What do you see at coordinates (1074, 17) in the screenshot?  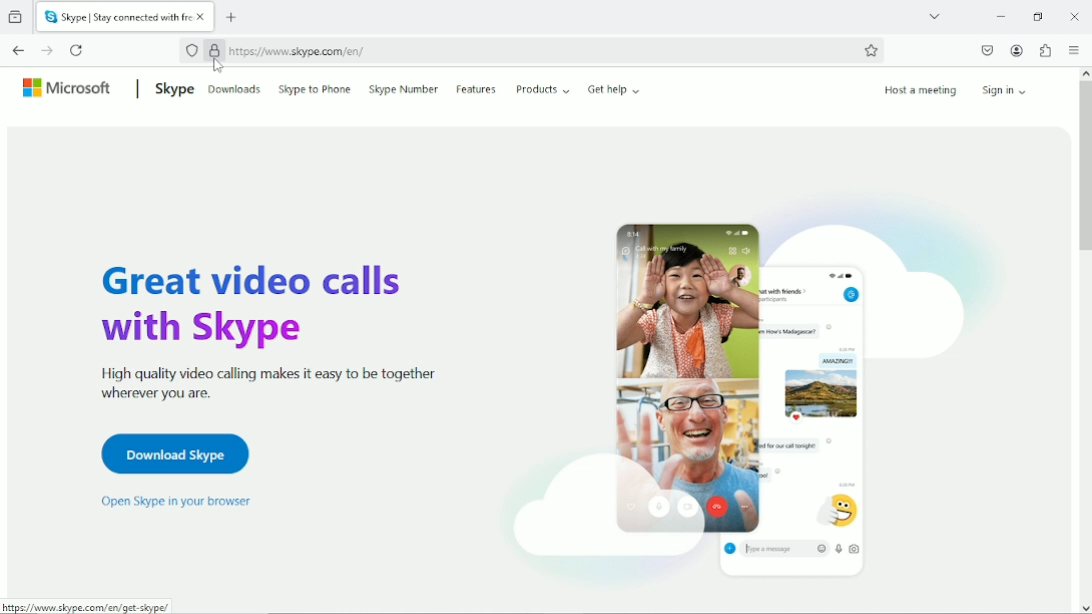 I see `Close` at bounding box center [1074, 17].